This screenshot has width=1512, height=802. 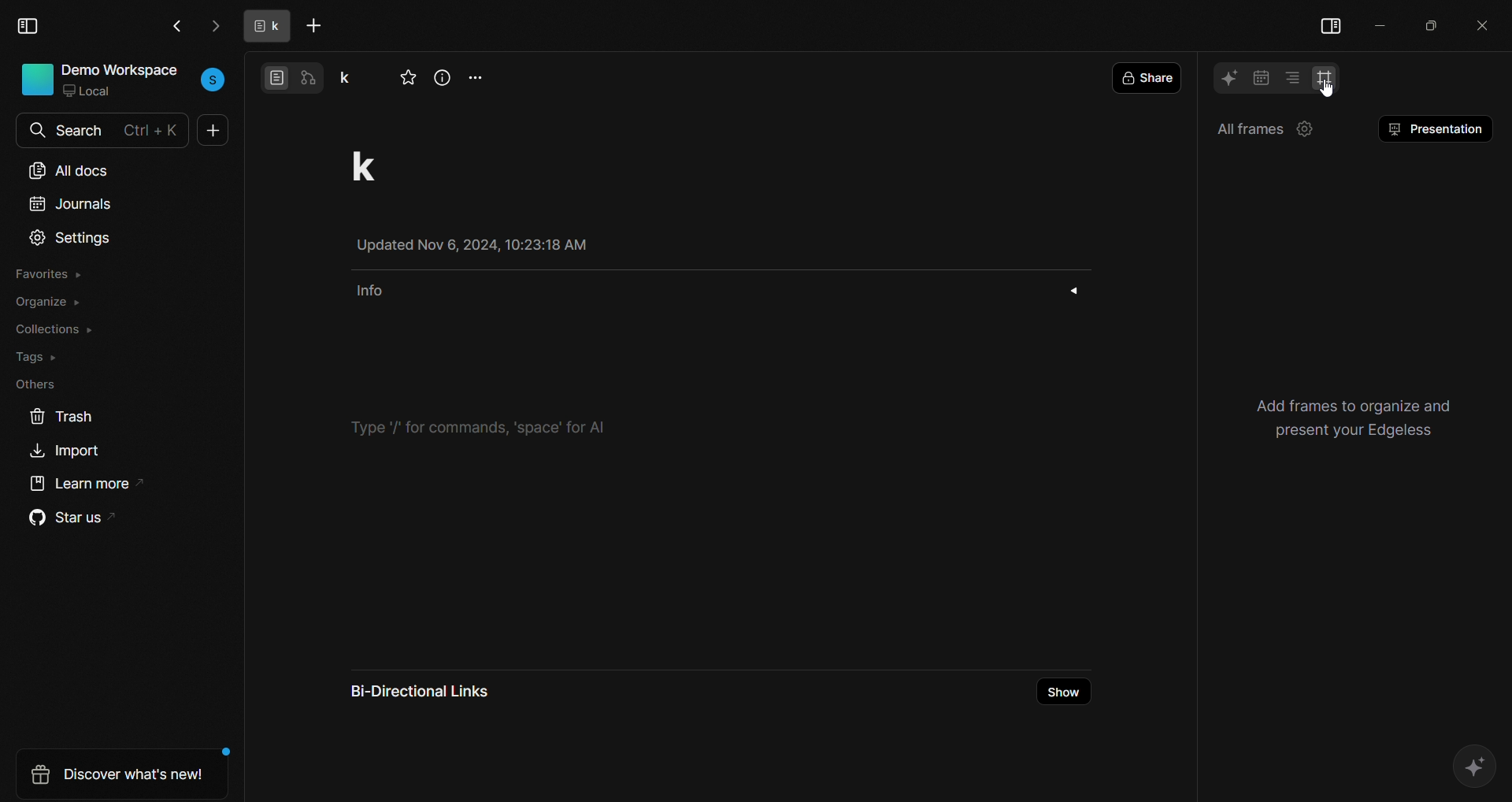 I want to click on use headings to create a table of contents, so click(x=1360, y=409).